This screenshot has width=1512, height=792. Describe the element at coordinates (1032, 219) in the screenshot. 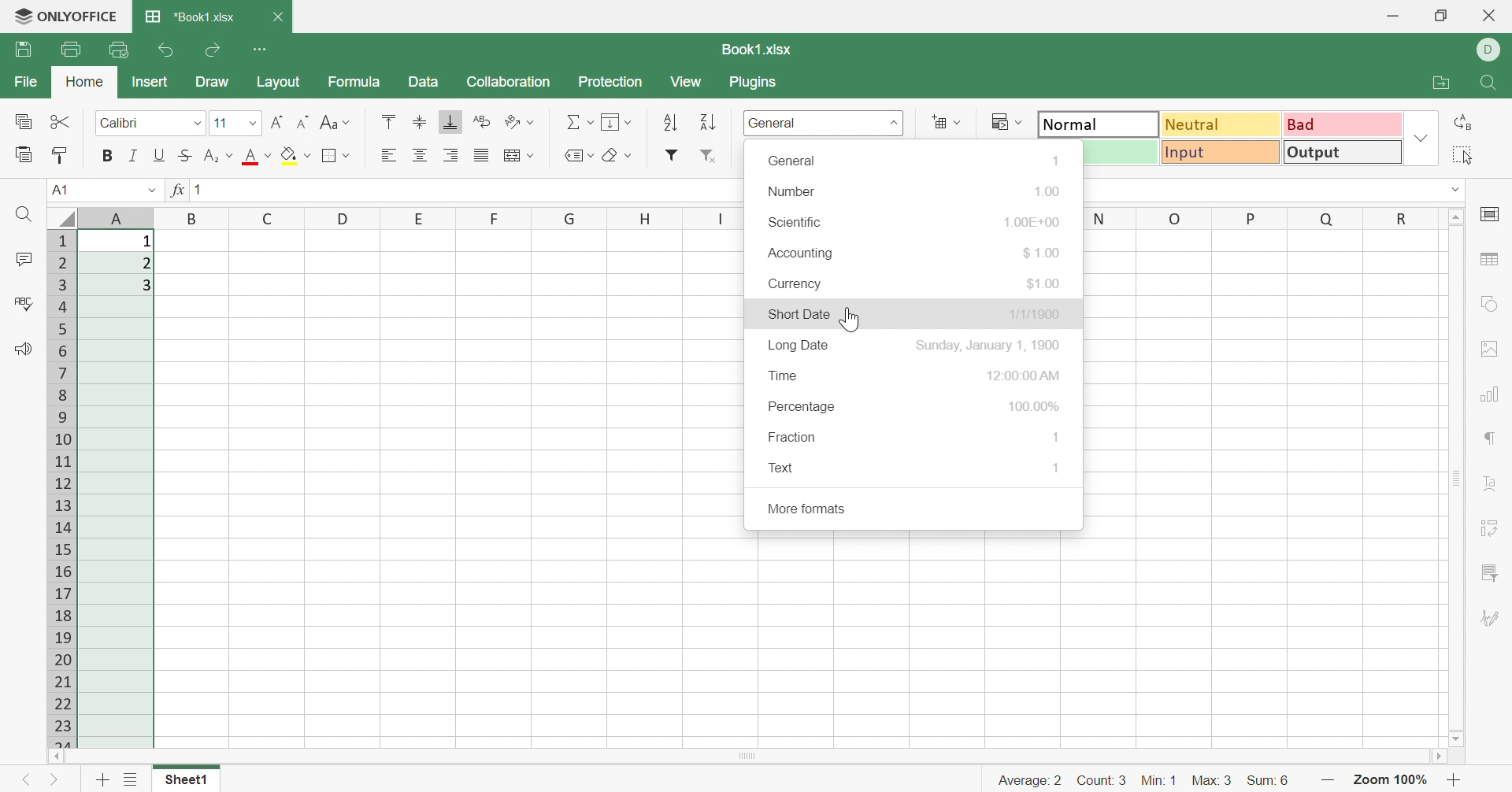

I see `1.00E+100` at that location.